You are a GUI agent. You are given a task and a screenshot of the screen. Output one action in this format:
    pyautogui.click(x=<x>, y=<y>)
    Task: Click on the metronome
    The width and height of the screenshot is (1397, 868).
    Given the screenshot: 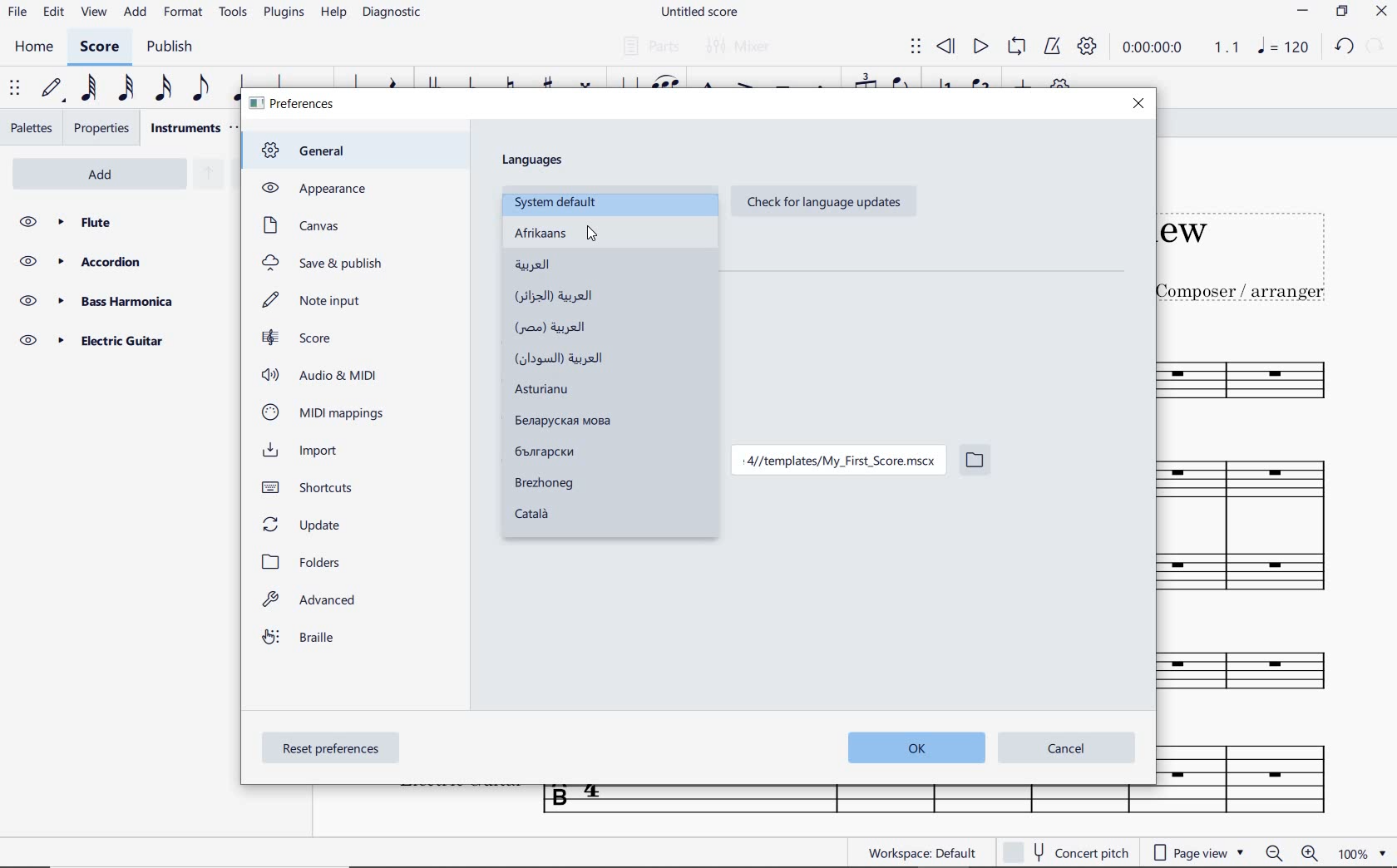 What is the action you would take?
    pyautogui.click(x=1052, y=47)
    